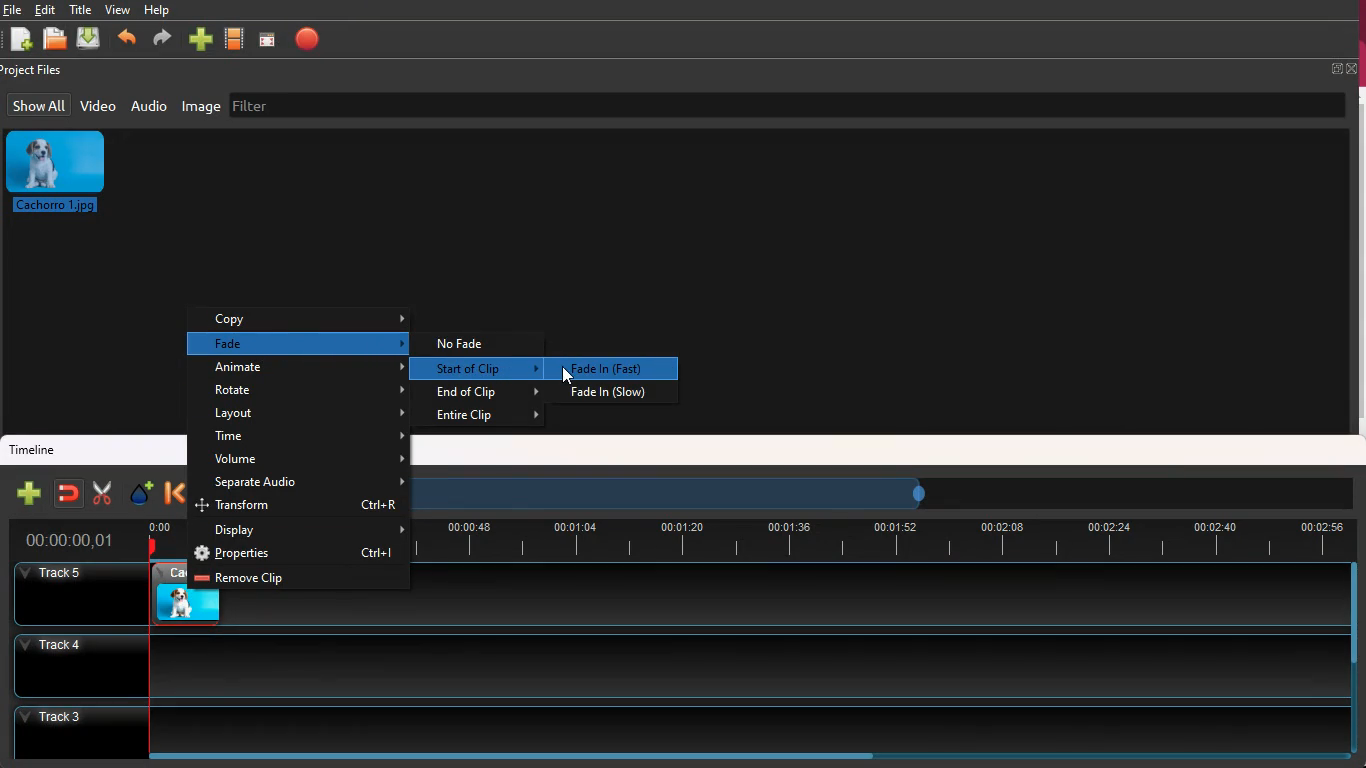 This screenshot has height=768, width=1366. Describe the element at coordinates (237, 38) in the screenshot. I see `movie` at that location.